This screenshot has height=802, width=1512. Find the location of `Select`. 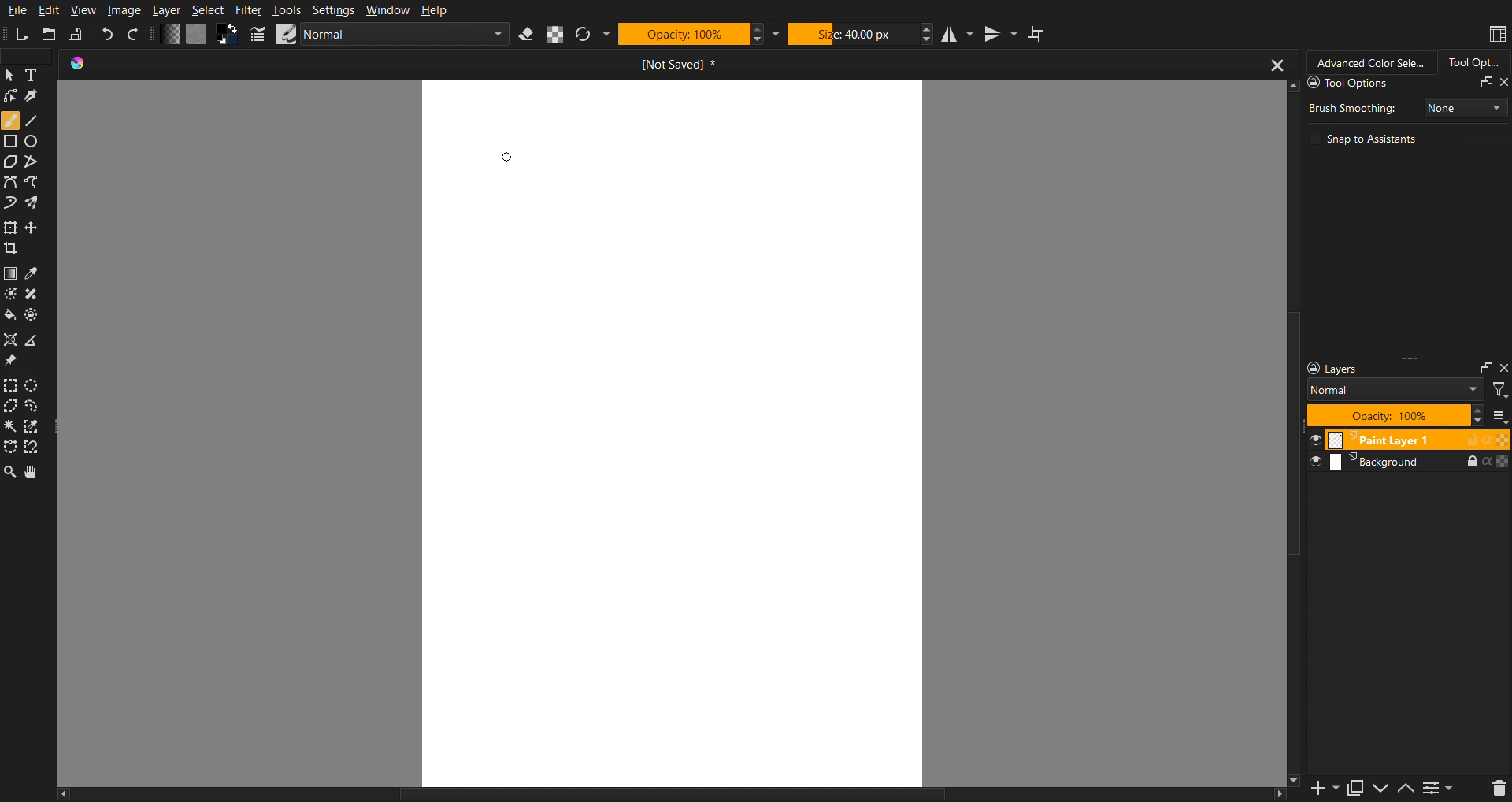

Select is located at coordinates (209, 10).